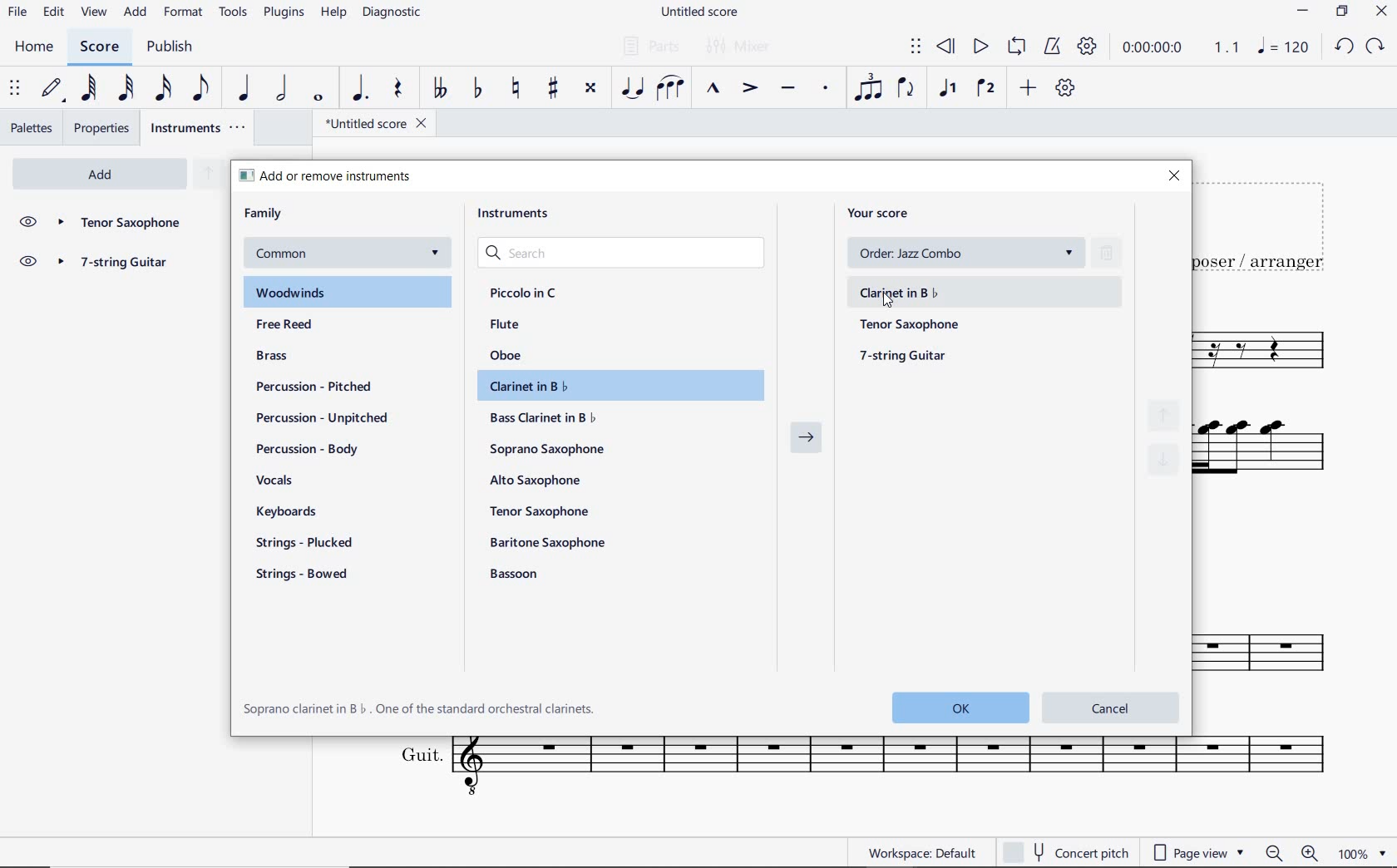  What do you see at coordinates (807, 442) in the screenshot?
I see `add selected instrument to score` at bounding box center [807, 442].